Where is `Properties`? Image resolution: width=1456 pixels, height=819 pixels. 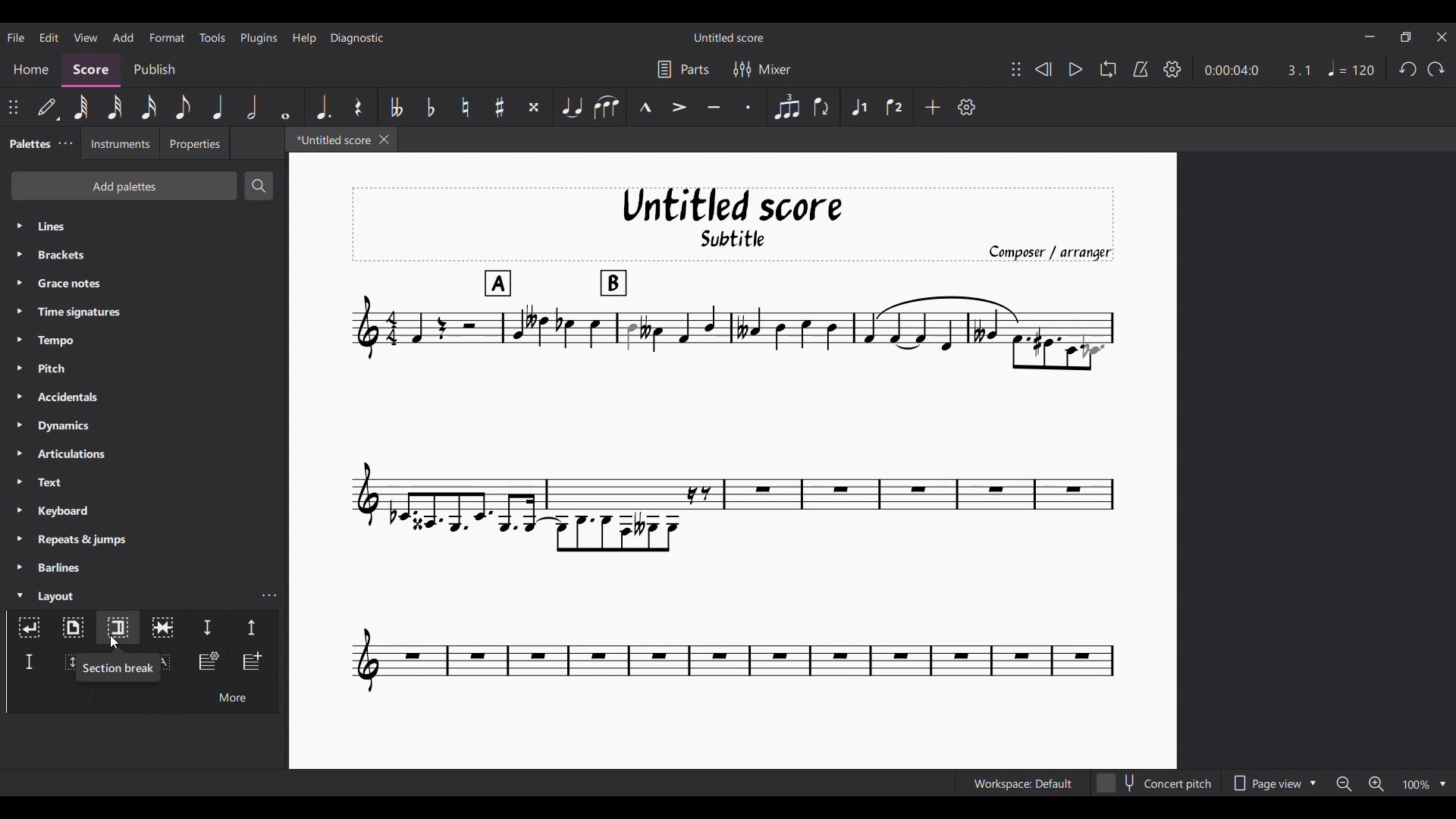 Properties is located at coordinates (195, 143).